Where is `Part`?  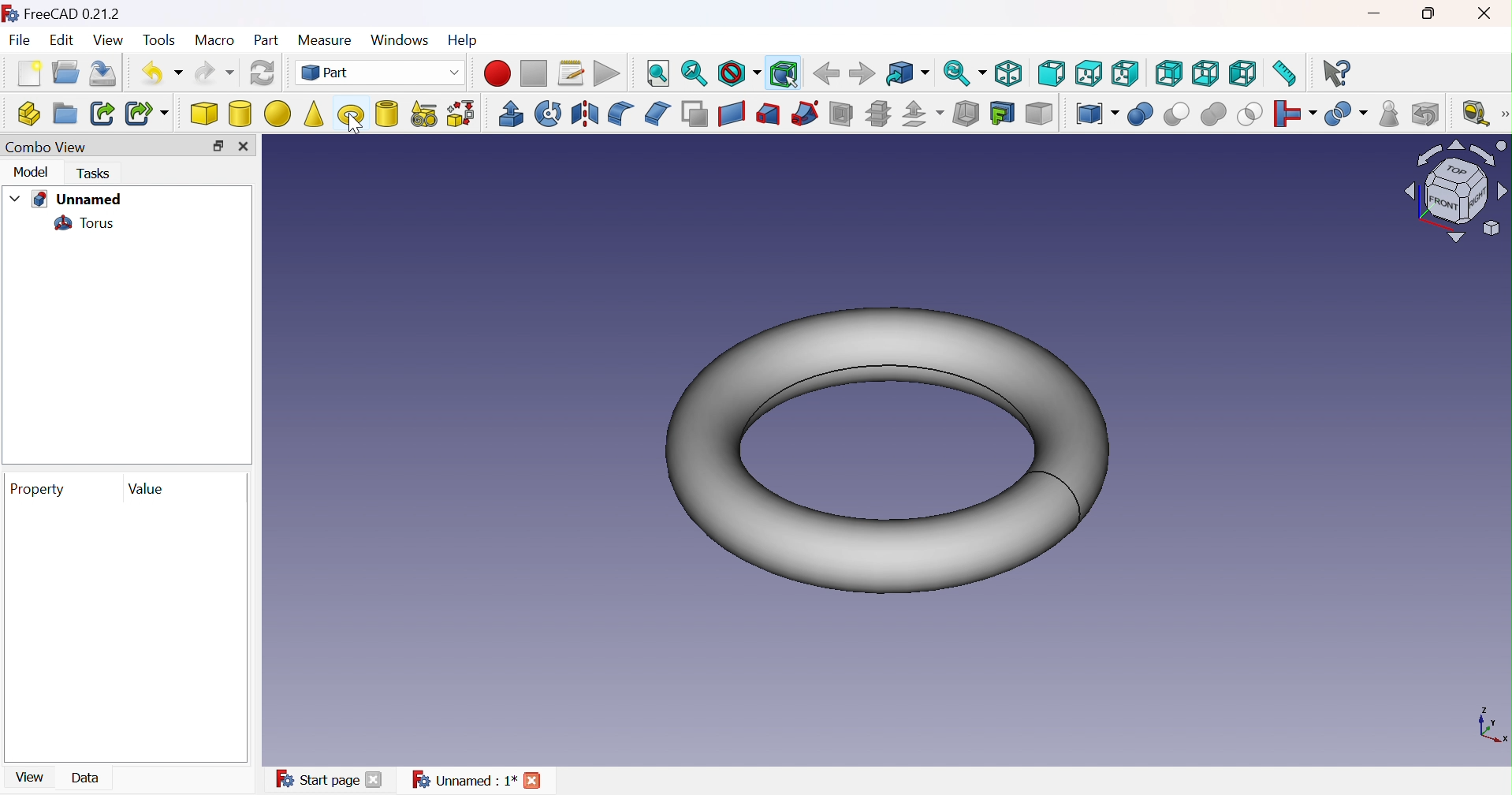 Part is located at coordinates (264, 42).